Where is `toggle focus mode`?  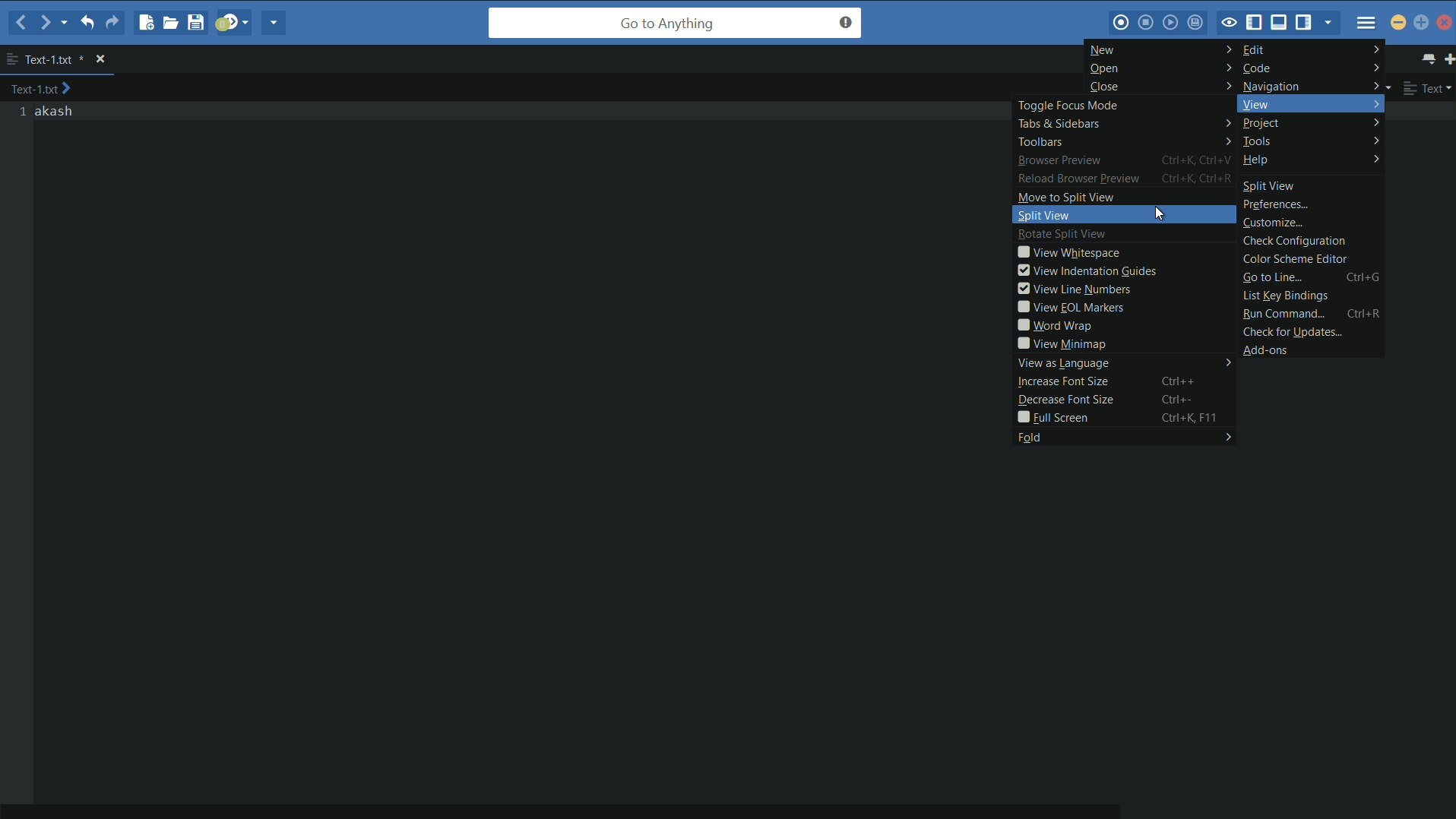 toggle focus mode is located at coordinates (1122, 104).